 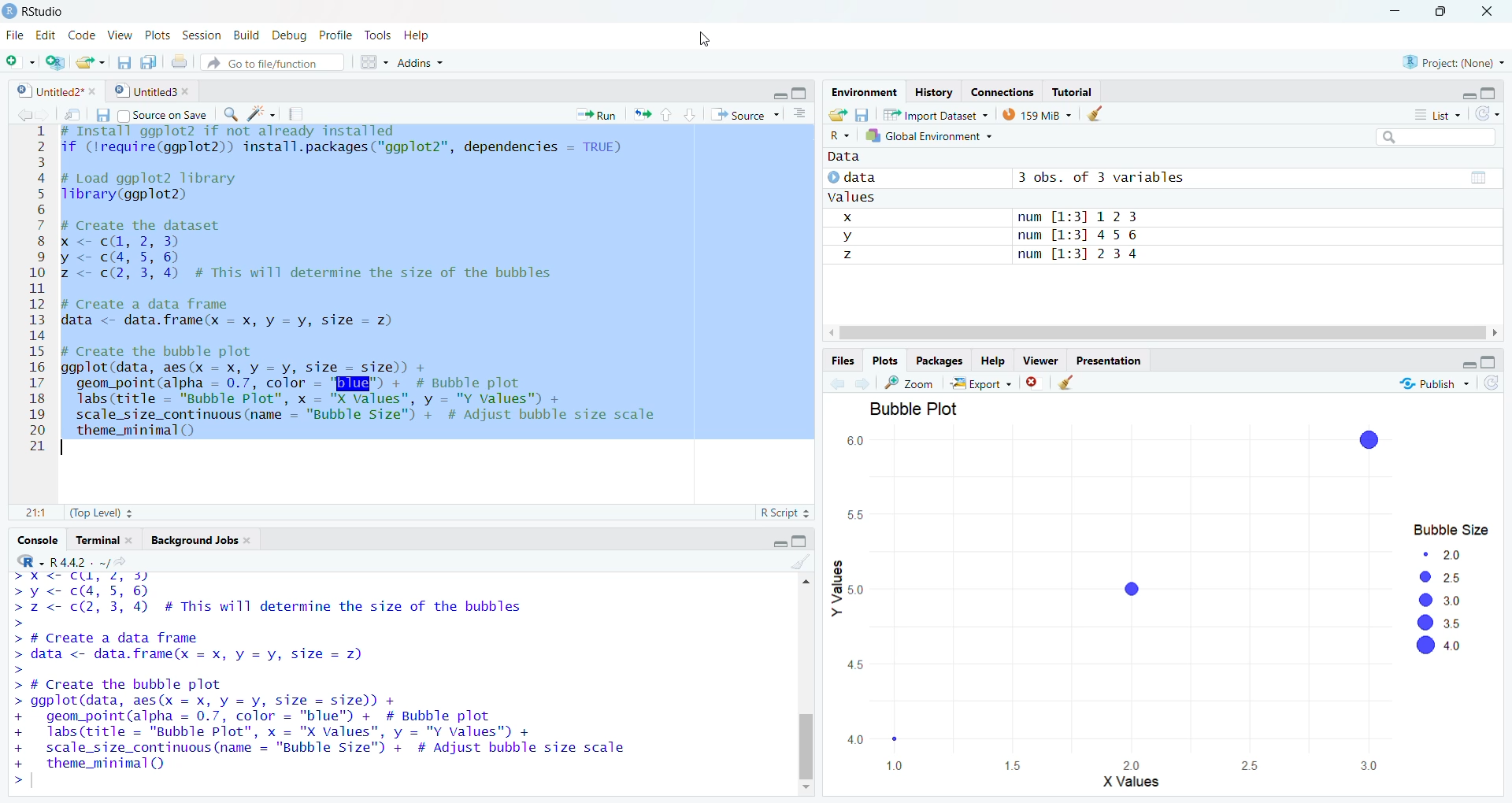 I want to click on save documents, so click(x=149, y=59).